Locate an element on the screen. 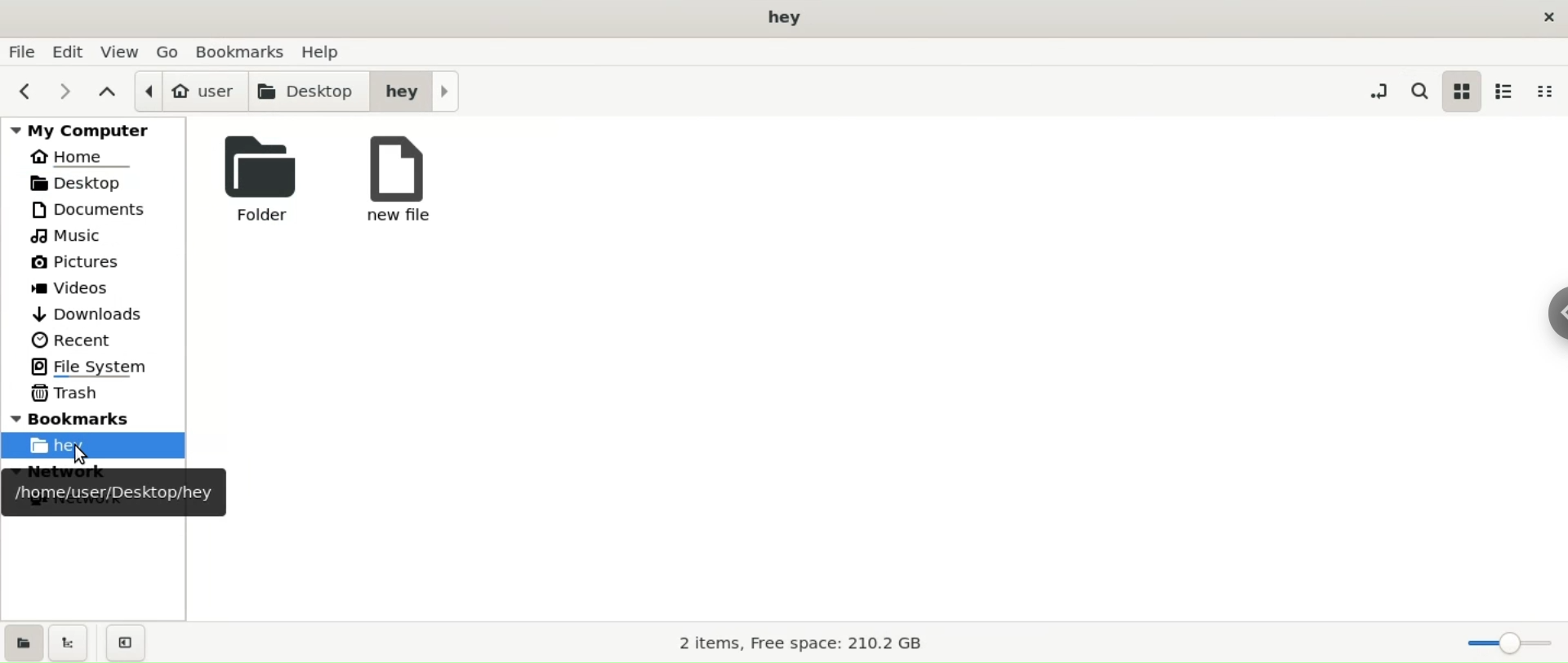 This screenshot has width=1568, height=663. close is located at coordinates (1549, 19).